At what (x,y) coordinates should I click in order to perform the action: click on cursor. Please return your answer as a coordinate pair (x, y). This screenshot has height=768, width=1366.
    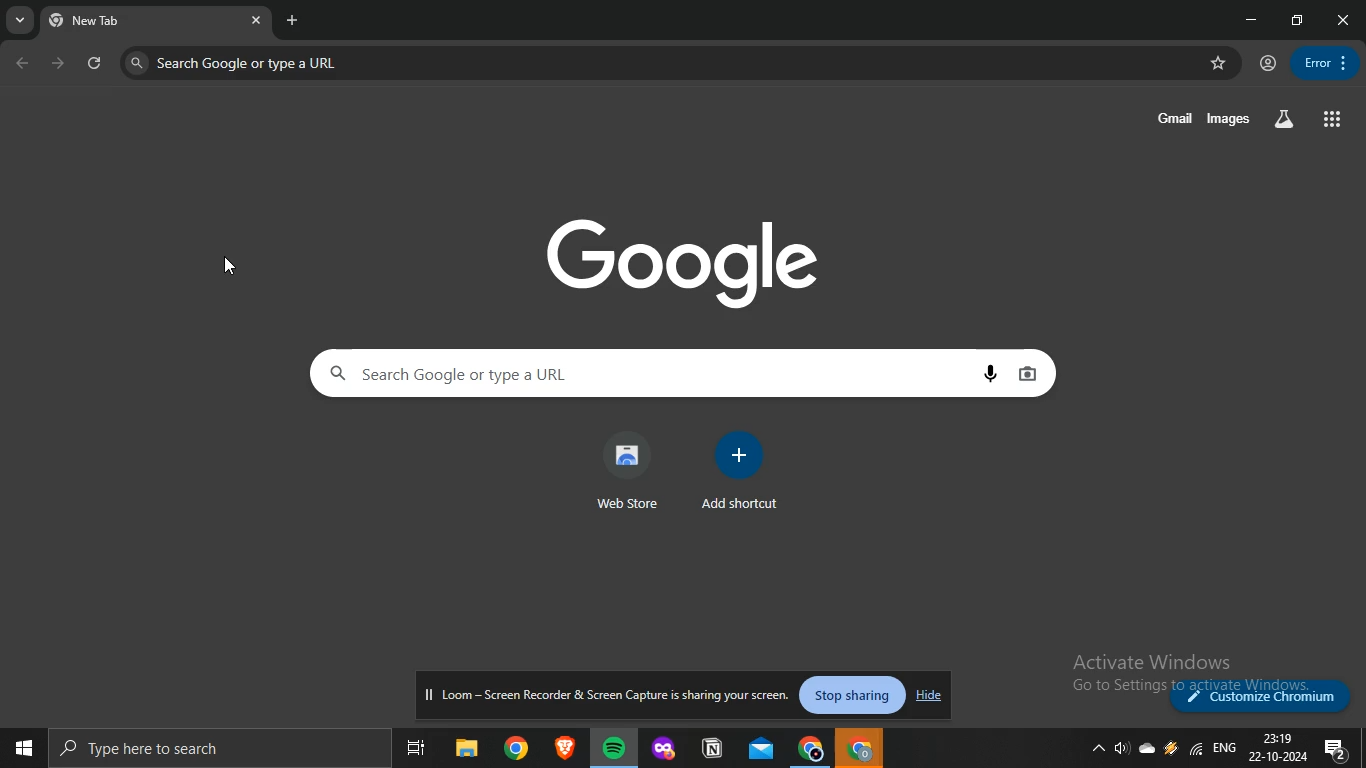
    Looking at the image, I should click on (234, 268).